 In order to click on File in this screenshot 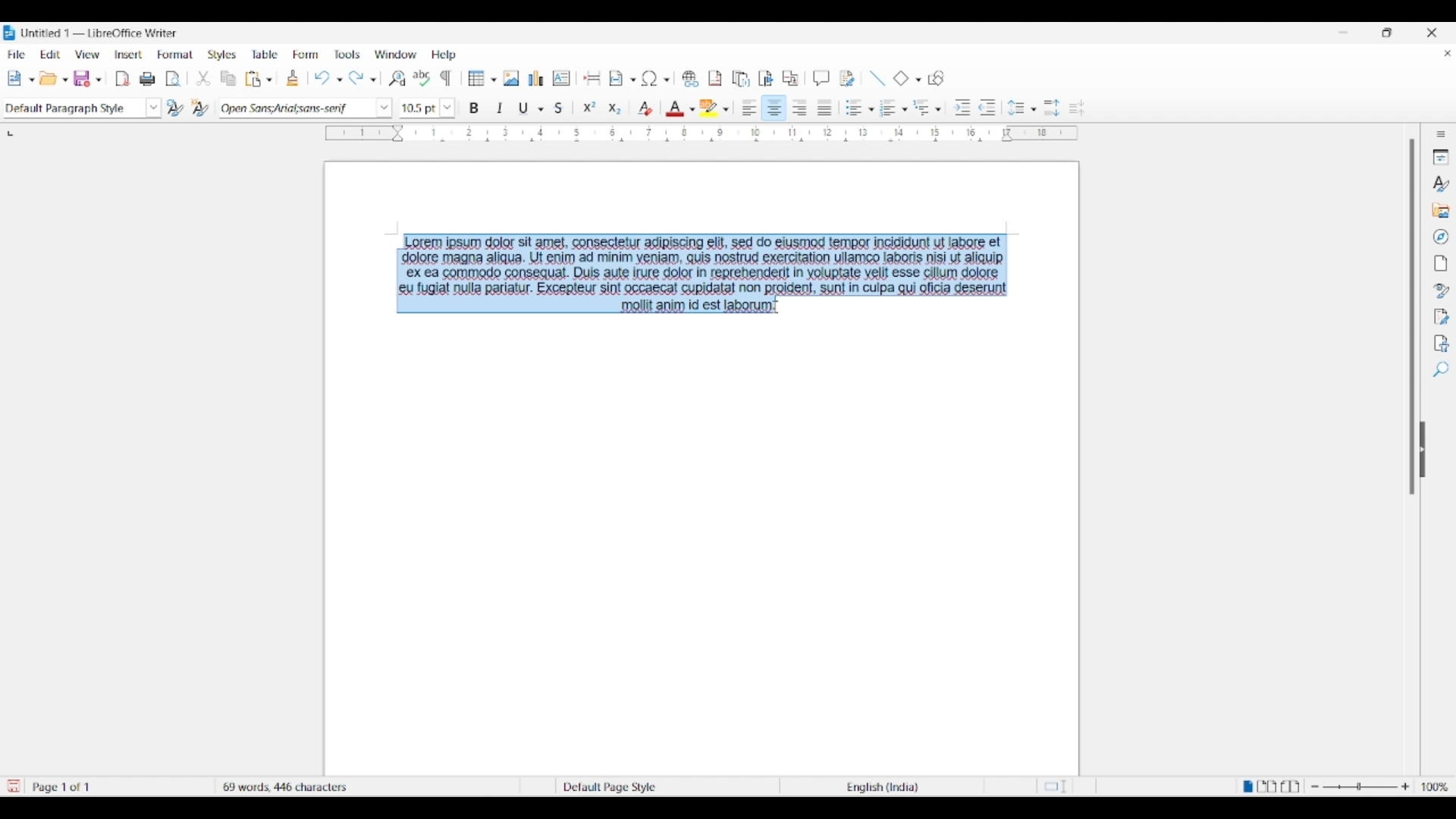, I will do `click(17, 54)`.